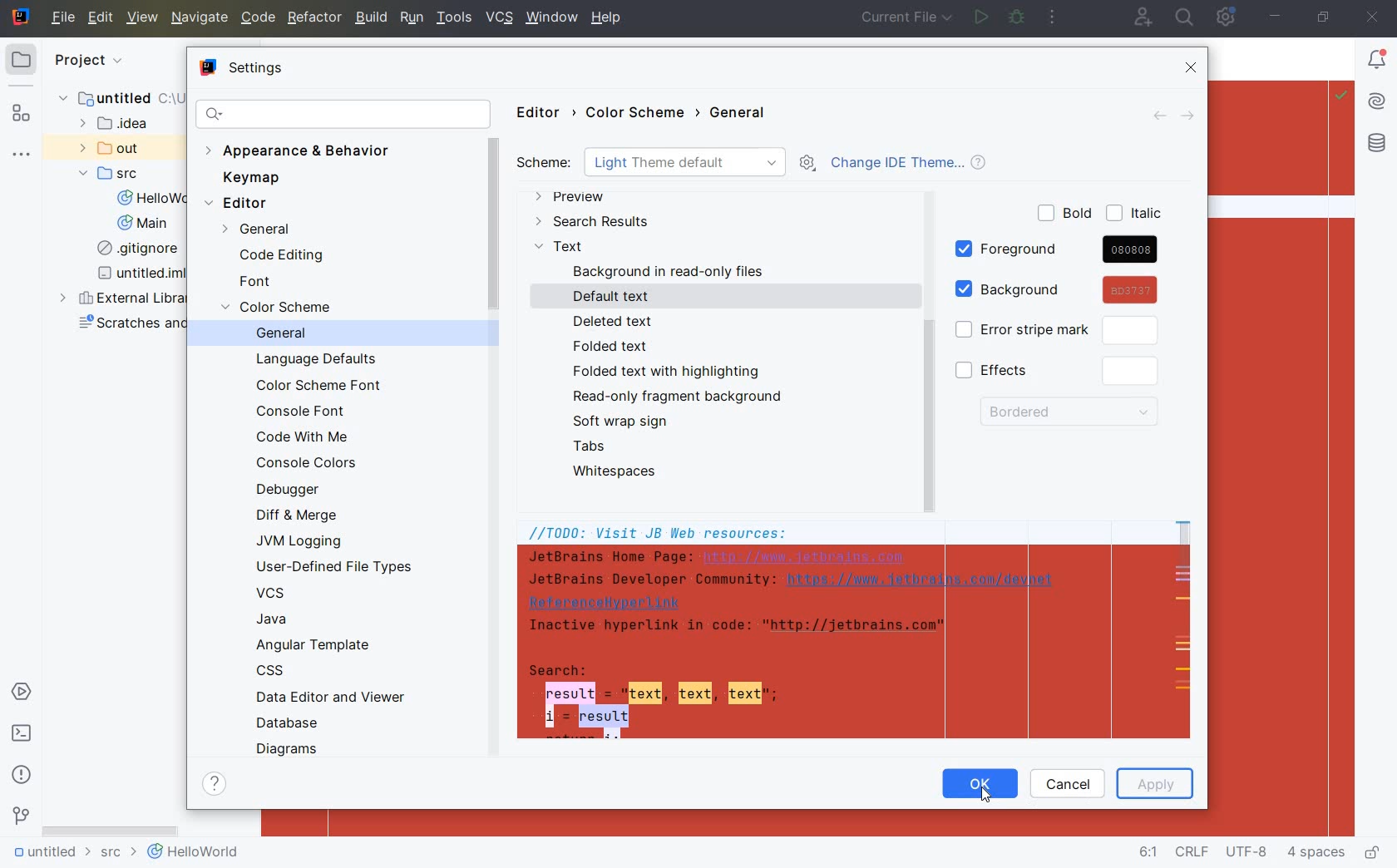  What do you see at coordinates (217, 786) in the screenshot?
I see `SHOW HELP CONTENTS` at bounding box center [217, 786].